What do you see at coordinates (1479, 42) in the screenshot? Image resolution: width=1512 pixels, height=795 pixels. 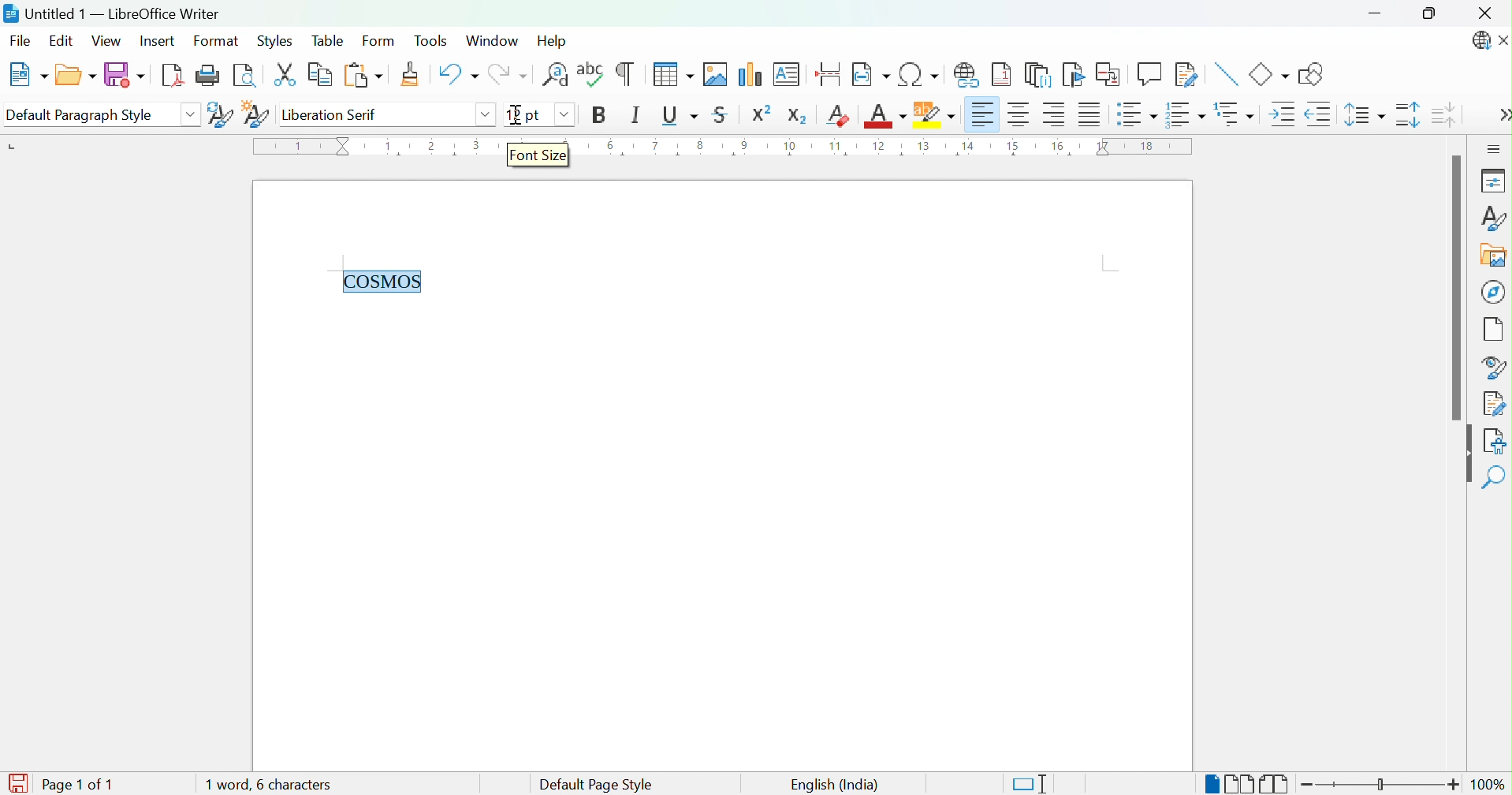 I see `LibreOffice Update Available` at bounding box center [1479, 42].